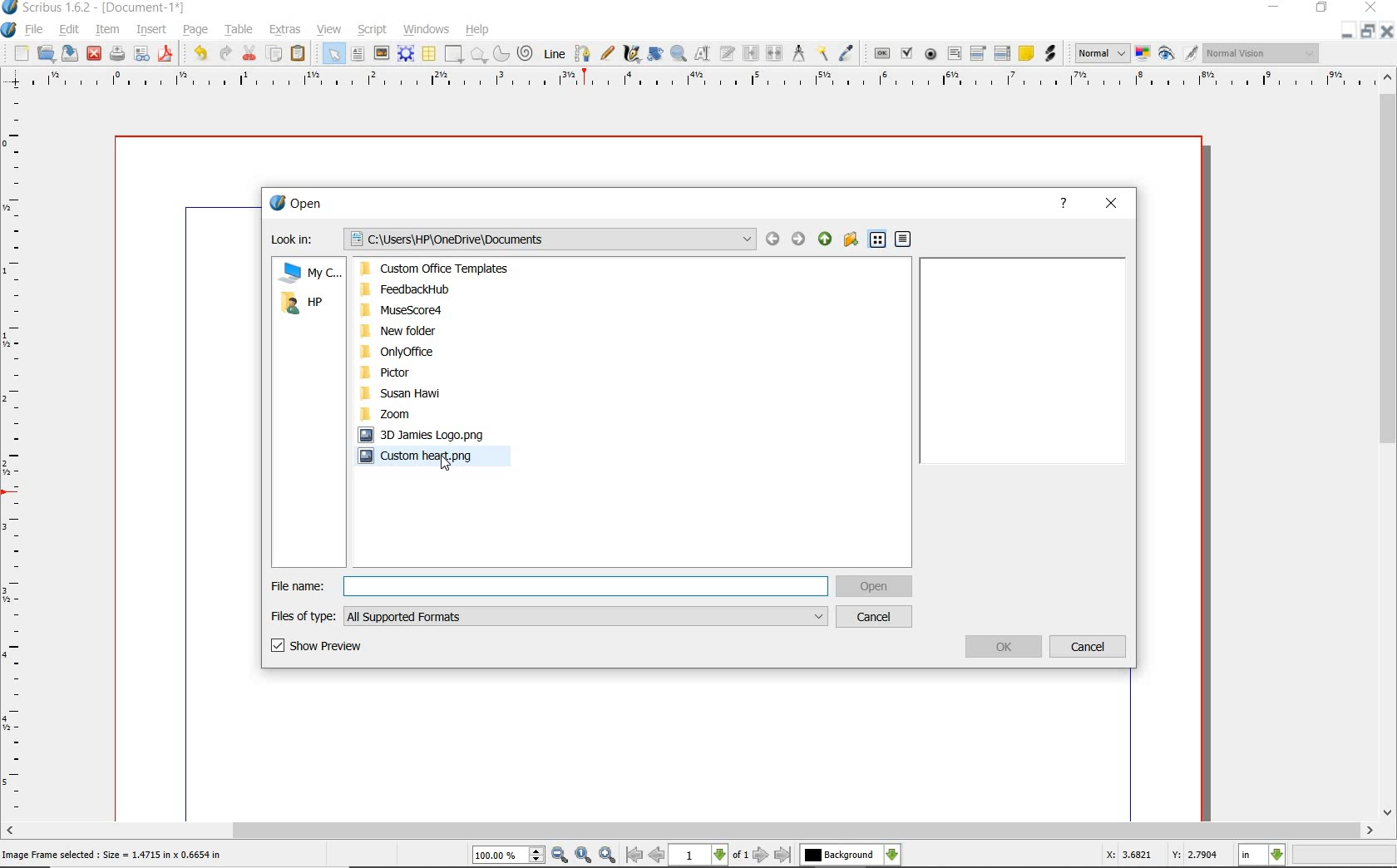 This screenshot has height=868, width=1397. Describe the element at coordinates (656, 856) in the screenshot. I see `go to previous page` at that location.